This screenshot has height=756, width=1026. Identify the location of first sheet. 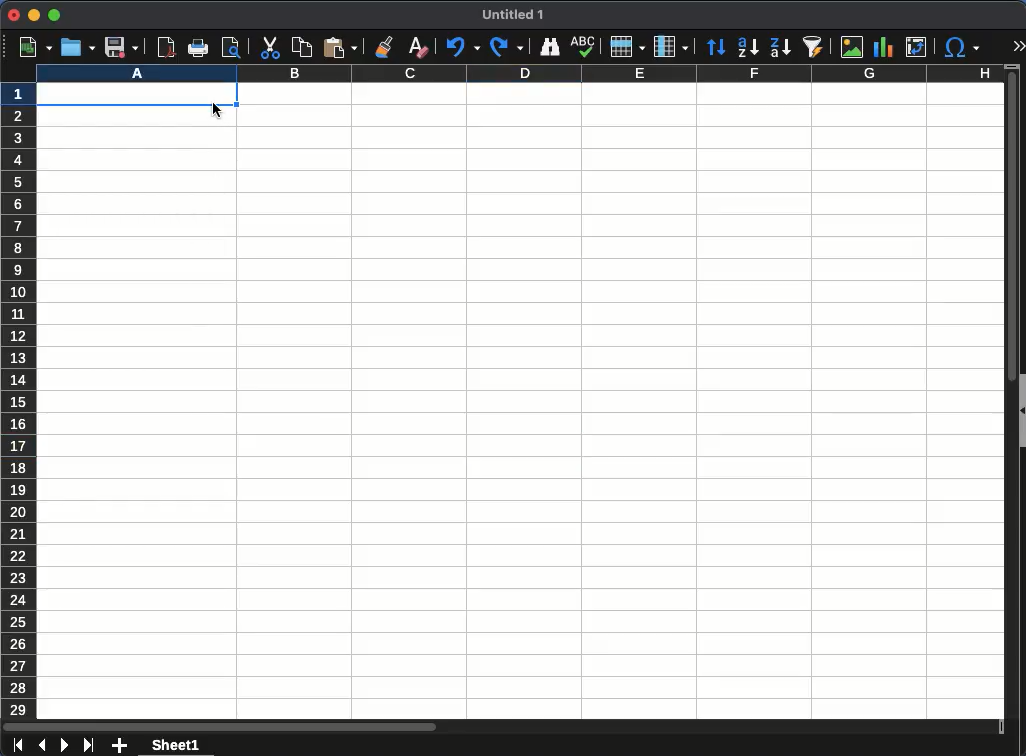
(17, 746).